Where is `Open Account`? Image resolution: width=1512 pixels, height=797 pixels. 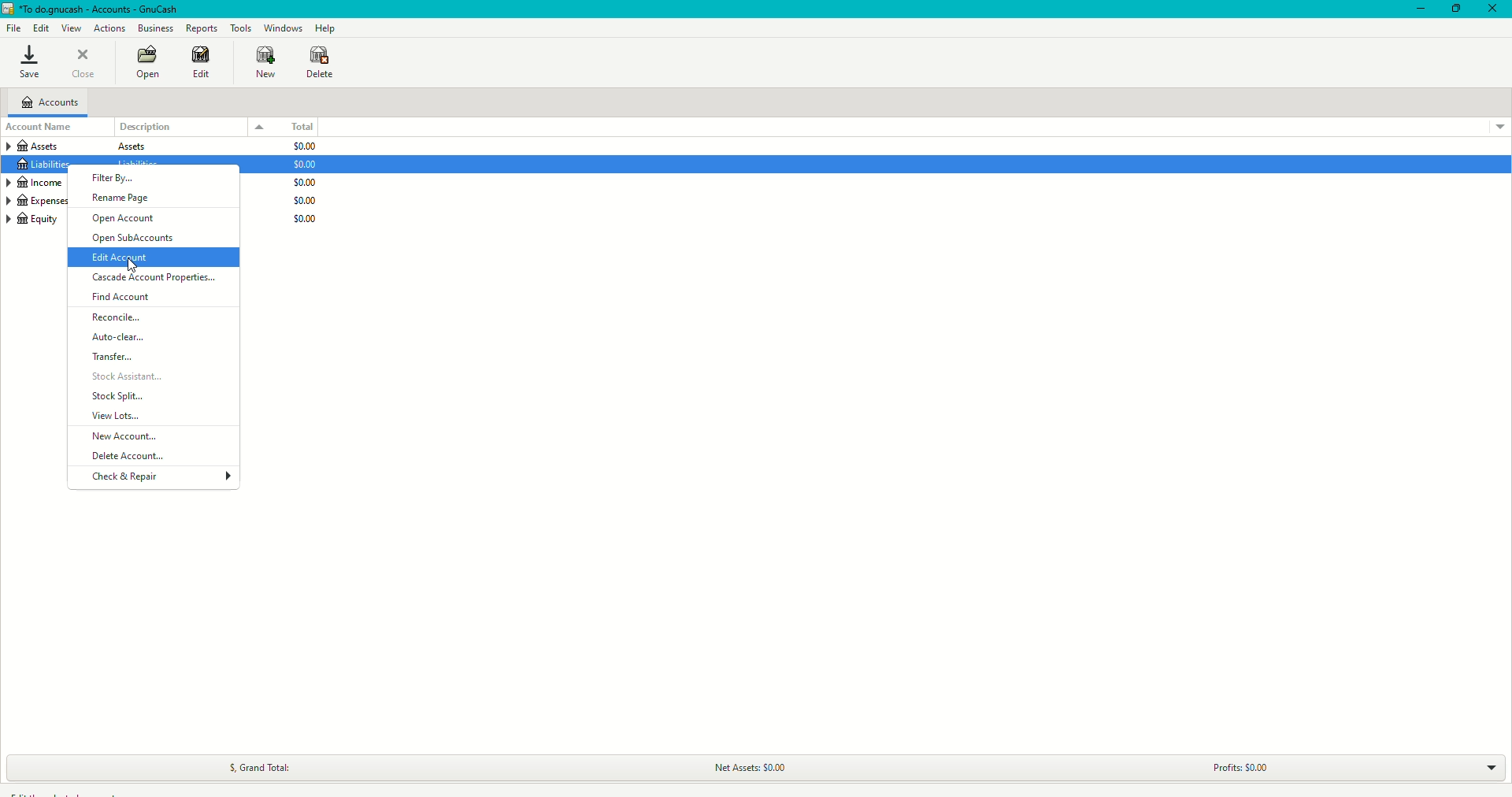
Open Account is located at coordinates (127, 218).